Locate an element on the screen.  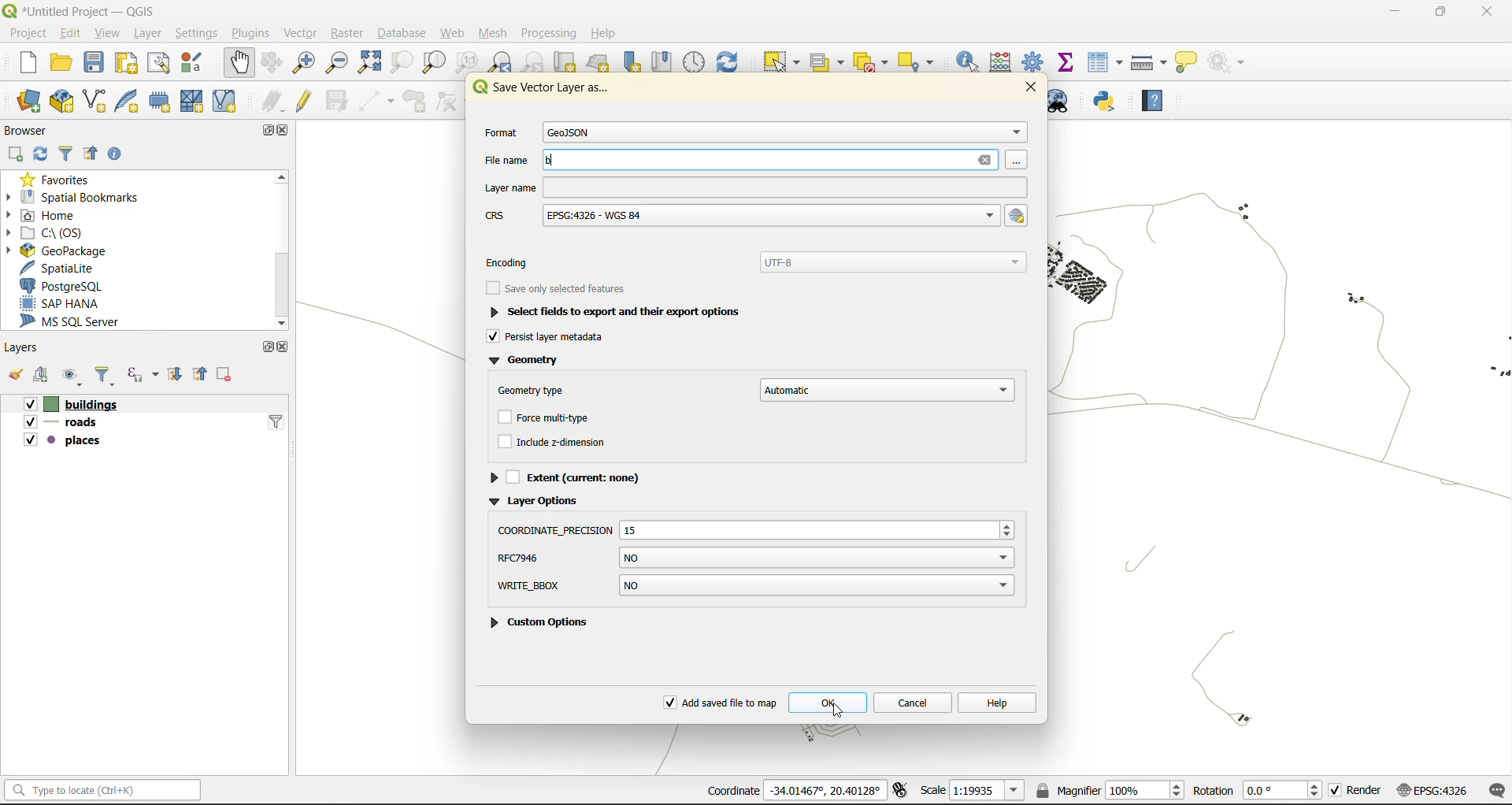
c\:os is located at coordinates (57, 233).